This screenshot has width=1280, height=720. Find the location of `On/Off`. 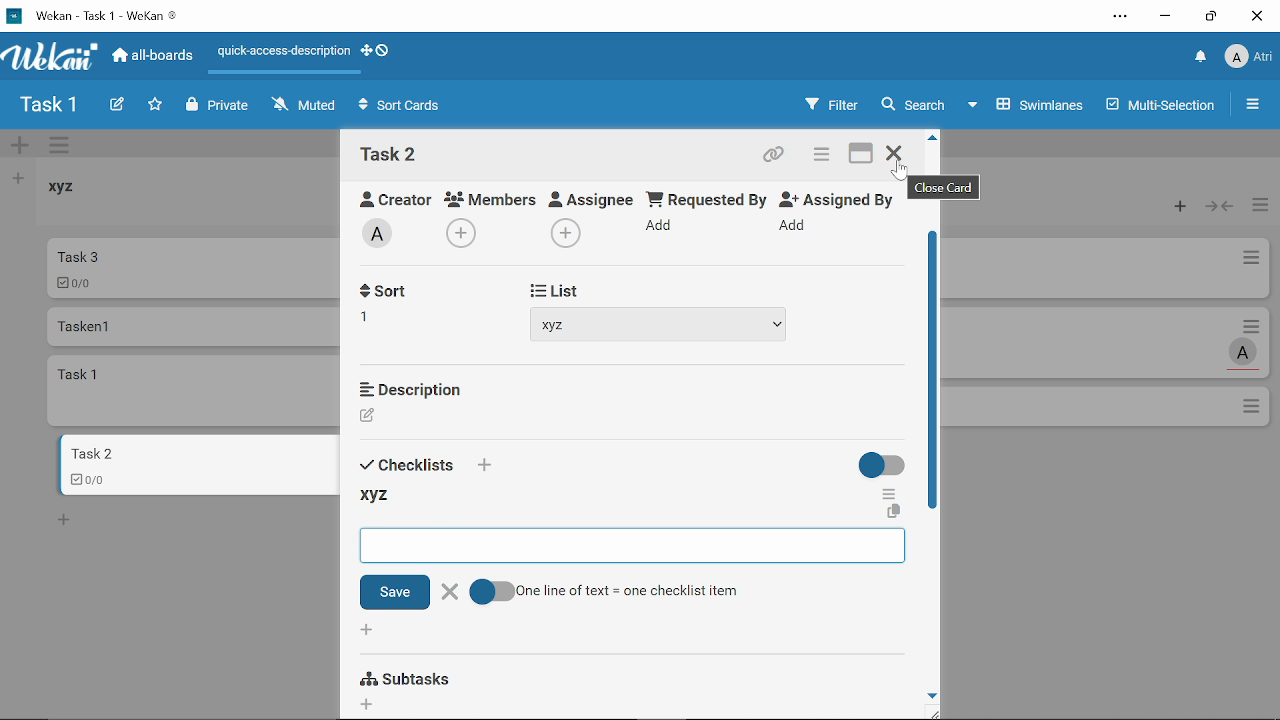

On/Off is located at coordinates (877, 466).